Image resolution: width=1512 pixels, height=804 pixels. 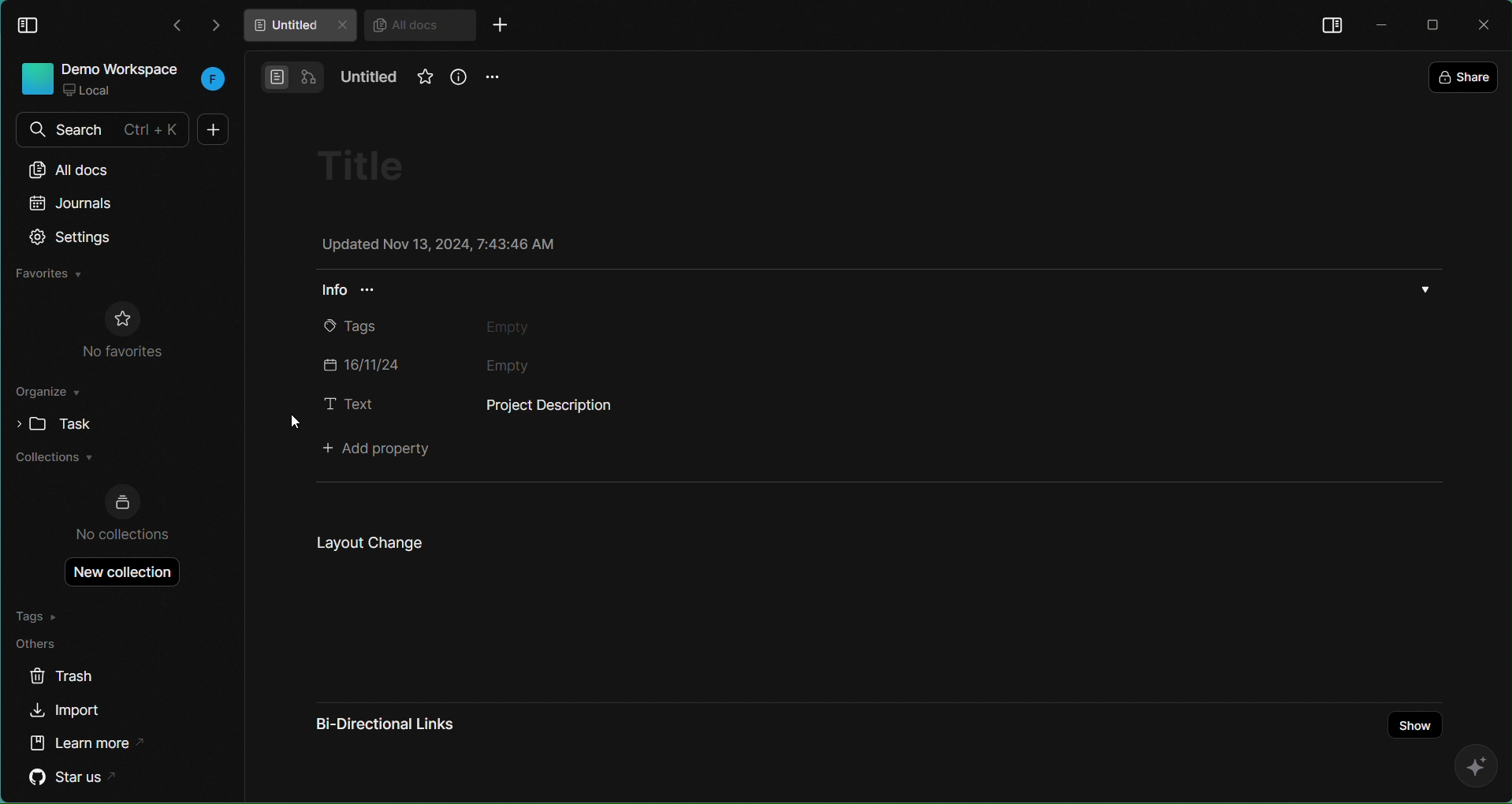 What do you see at coordinates (76, 777) in the screenshot?
I see `) starus` at bounding box center [76, 777].